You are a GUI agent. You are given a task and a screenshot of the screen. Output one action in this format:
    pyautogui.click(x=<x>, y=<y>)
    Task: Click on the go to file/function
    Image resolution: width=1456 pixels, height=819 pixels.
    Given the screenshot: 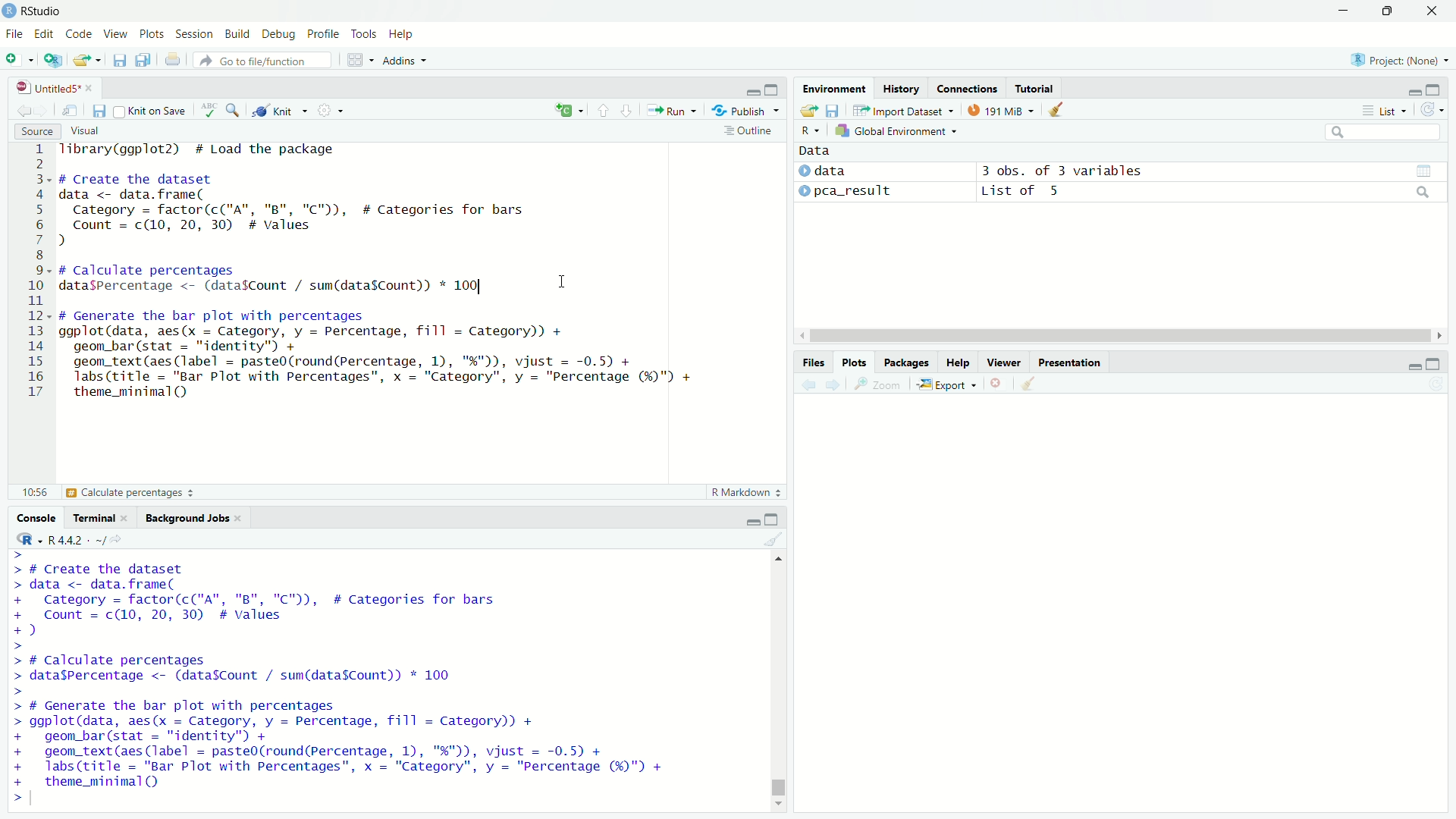 What is the action you would take?
    pyautogui.click(x=264, y=59)
    